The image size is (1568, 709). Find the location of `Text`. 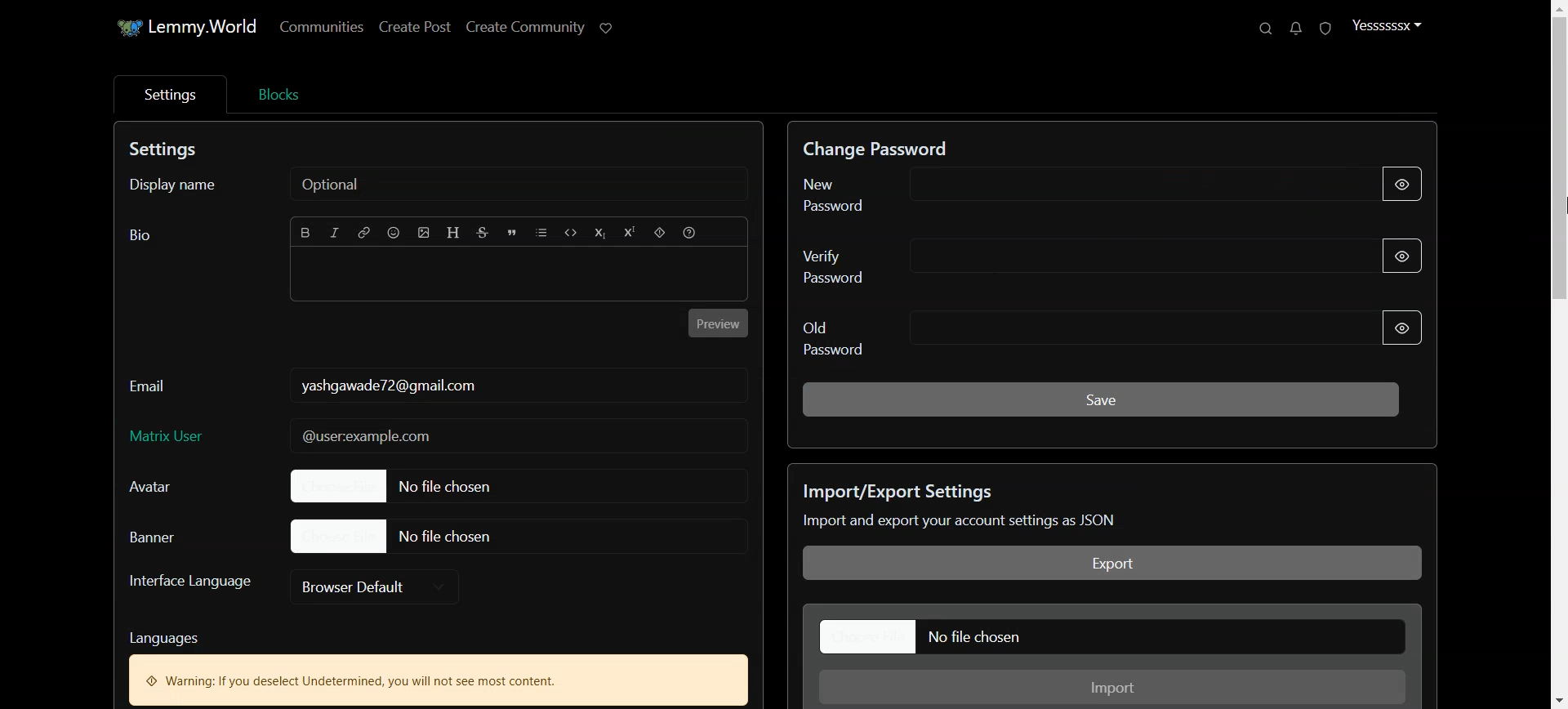

Text is located at coordinates (873, 149).